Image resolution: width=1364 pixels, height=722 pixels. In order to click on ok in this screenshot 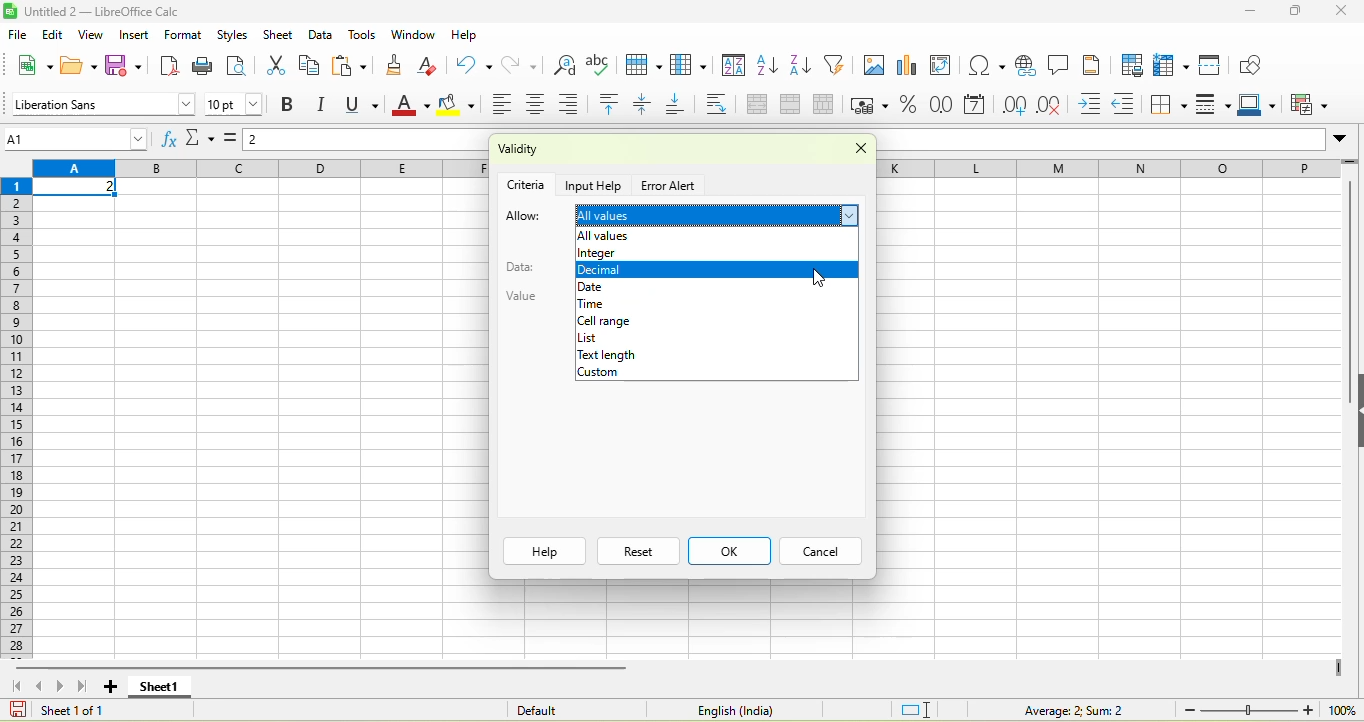, I will do `click(729, 551)`.